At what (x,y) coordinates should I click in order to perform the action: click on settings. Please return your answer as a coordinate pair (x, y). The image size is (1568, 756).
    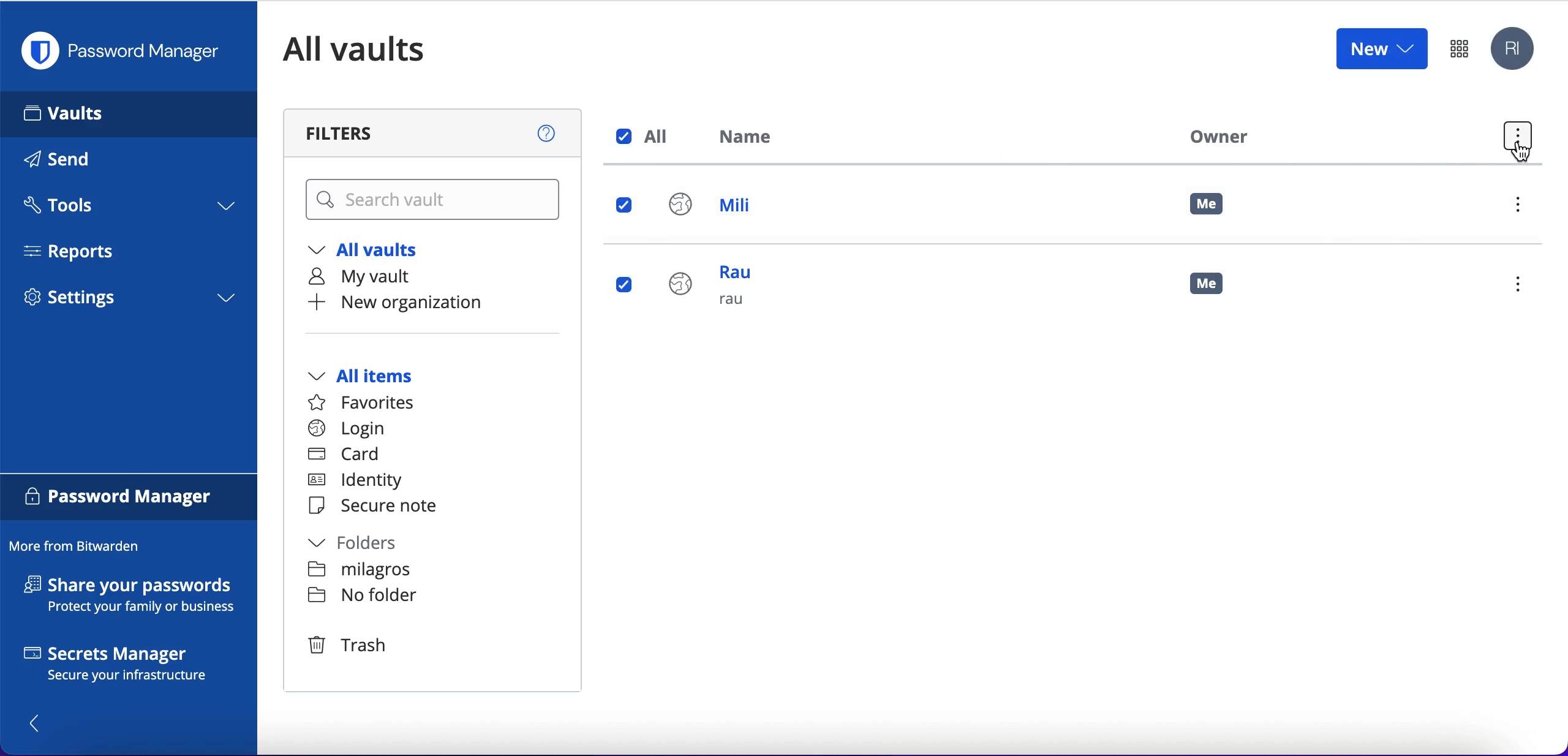
    Looking at the image, I should click on (129, 301).